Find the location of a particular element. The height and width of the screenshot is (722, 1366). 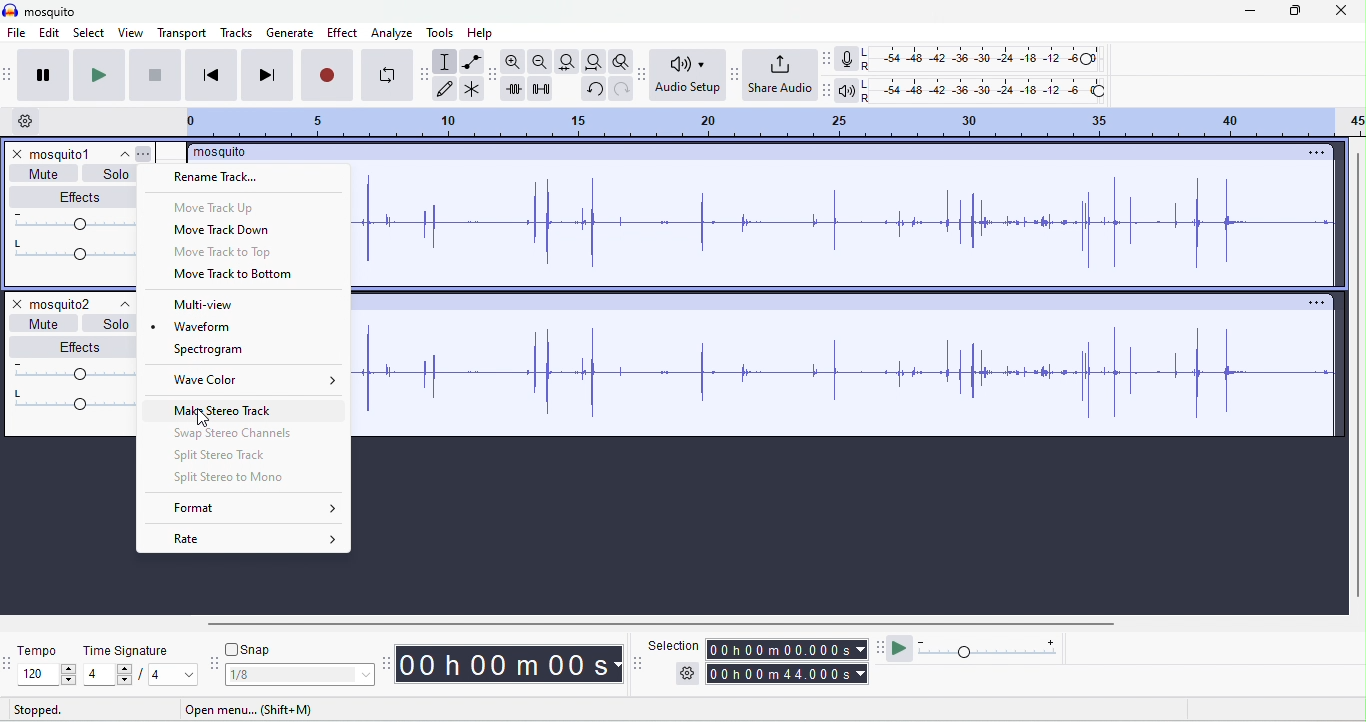

play at speed/ play at speed once is located at coordinates (900, 647).